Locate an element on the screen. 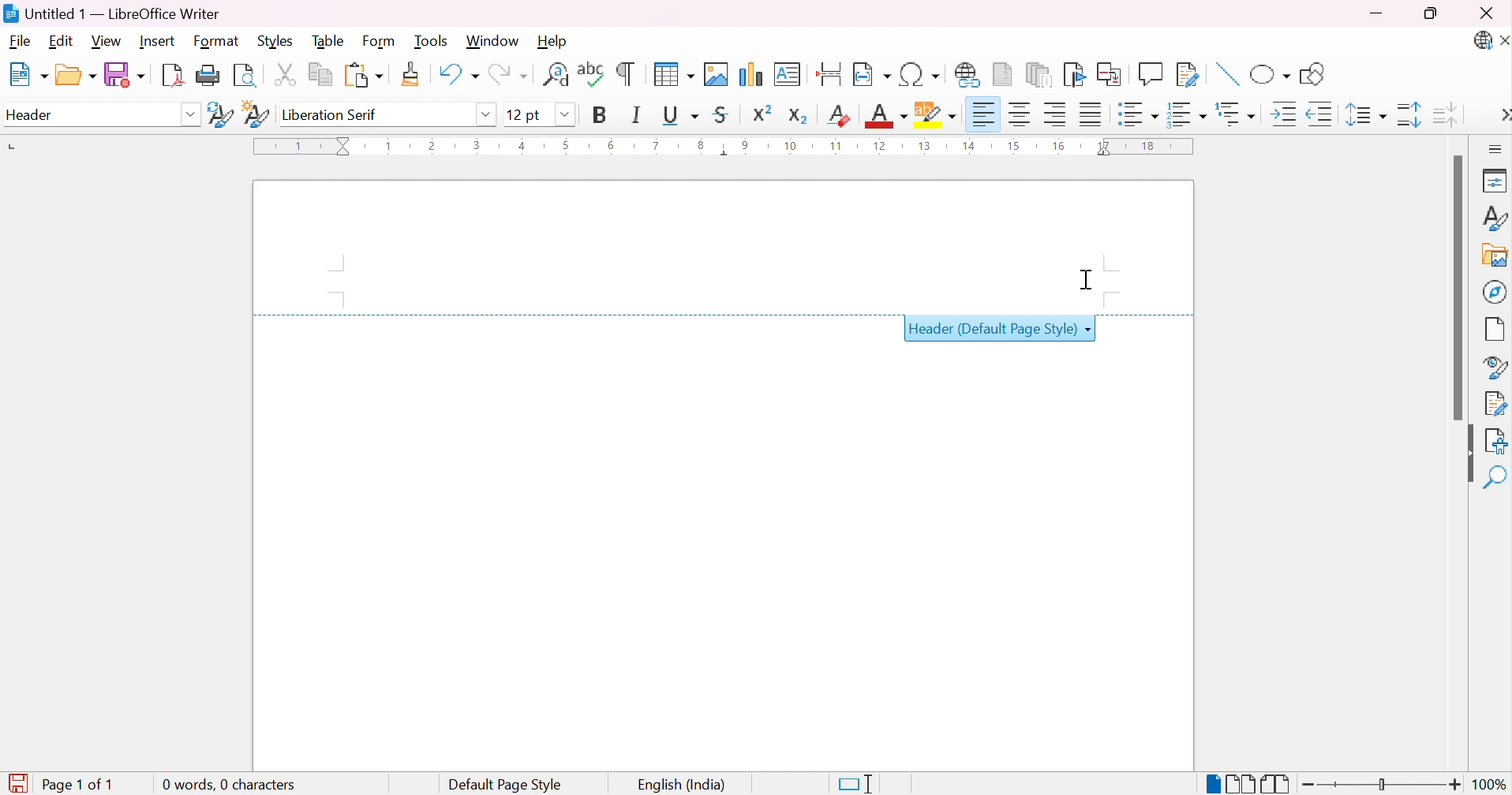 The height and width of the screenshot is (795, 1512). 12 pt is located at coordinates (522, 114).